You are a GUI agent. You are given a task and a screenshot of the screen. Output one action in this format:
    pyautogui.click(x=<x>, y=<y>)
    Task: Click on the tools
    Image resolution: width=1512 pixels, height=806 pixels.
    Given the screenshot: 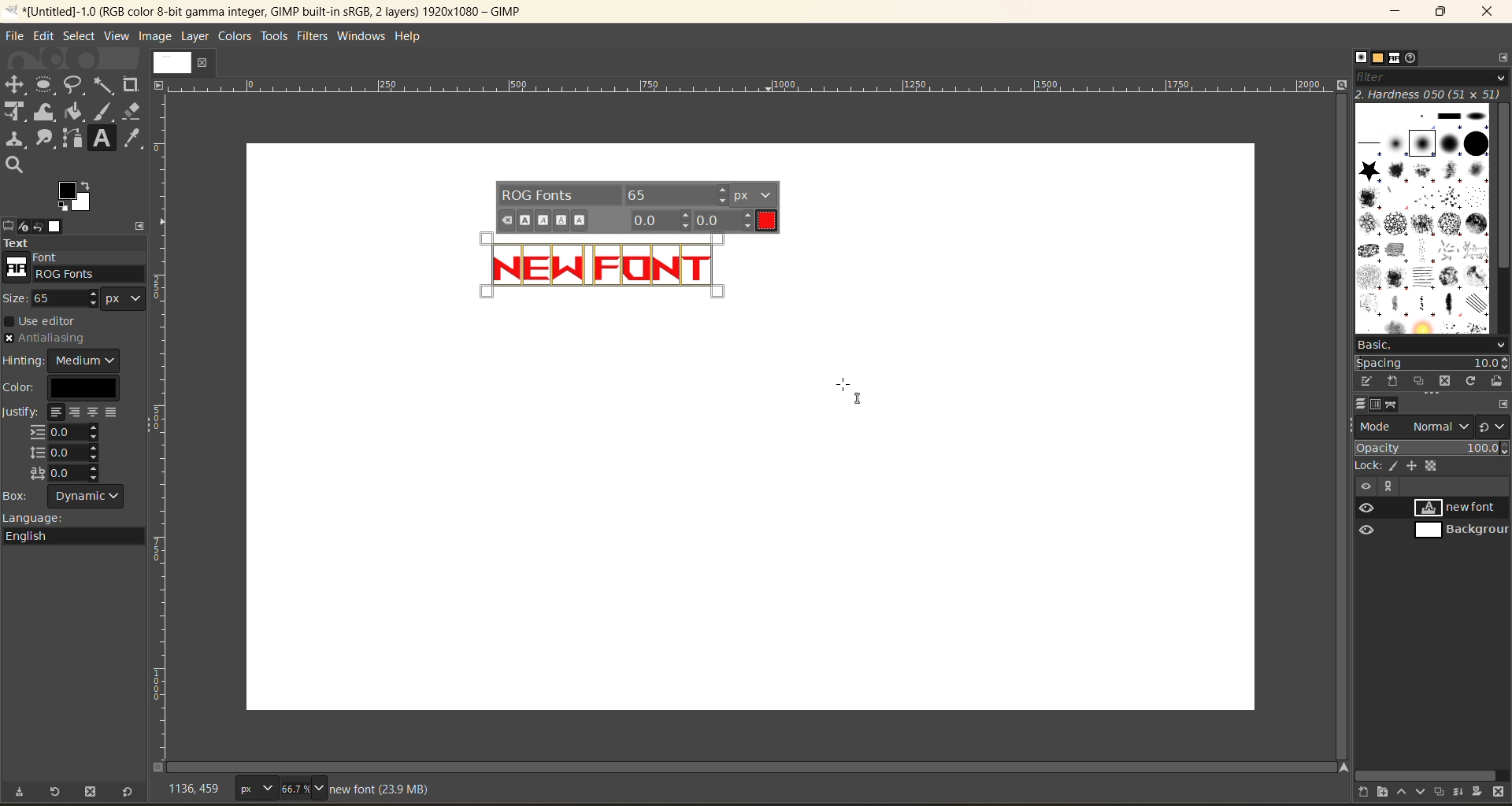 What is the action you would take?
    pyautogui.click(x=75, y=126)
    